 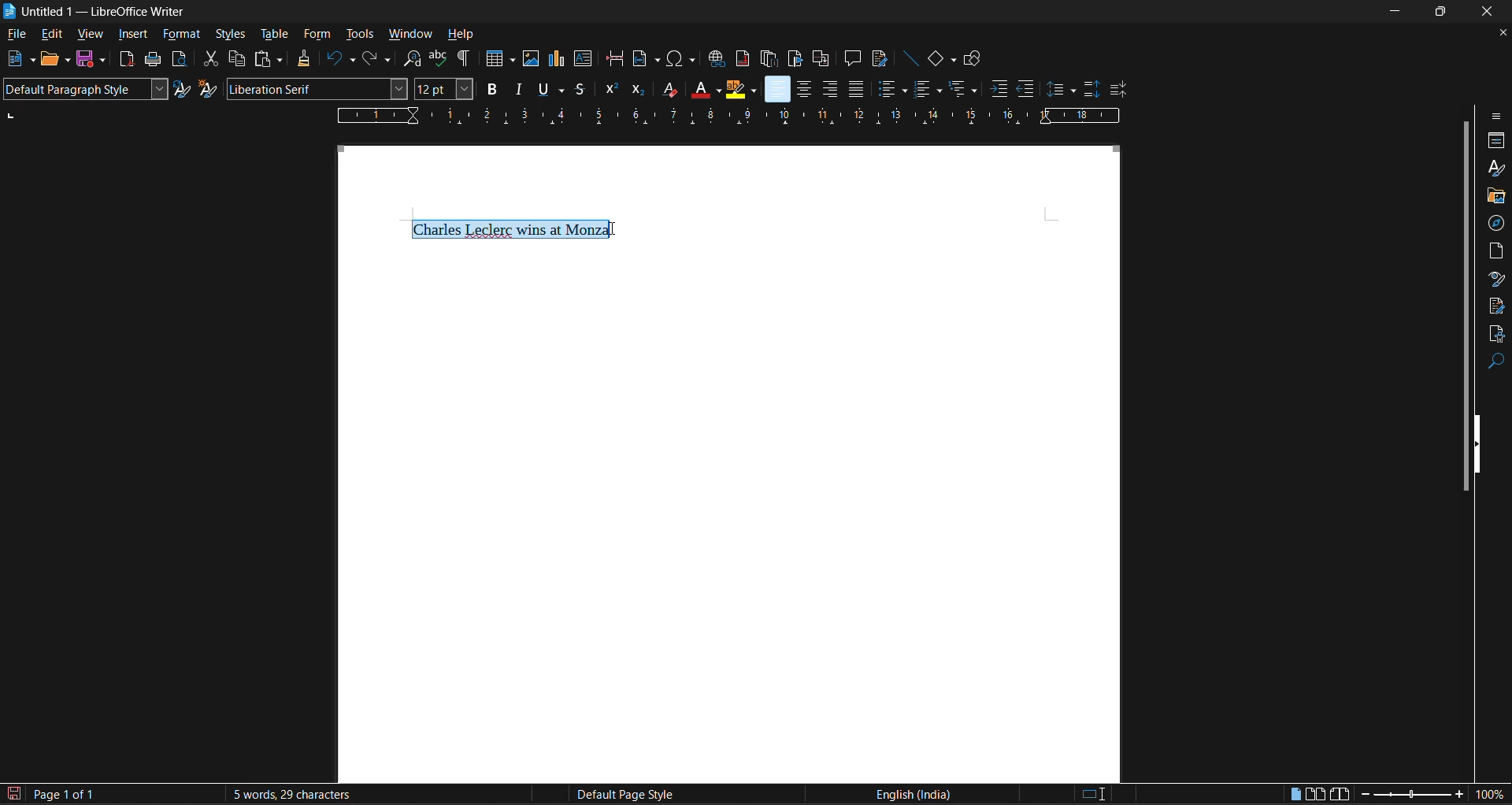 What do you see at coordinates (1498, 33) in the screenshot?
I see `close document` at bounding box center [1498, 33].